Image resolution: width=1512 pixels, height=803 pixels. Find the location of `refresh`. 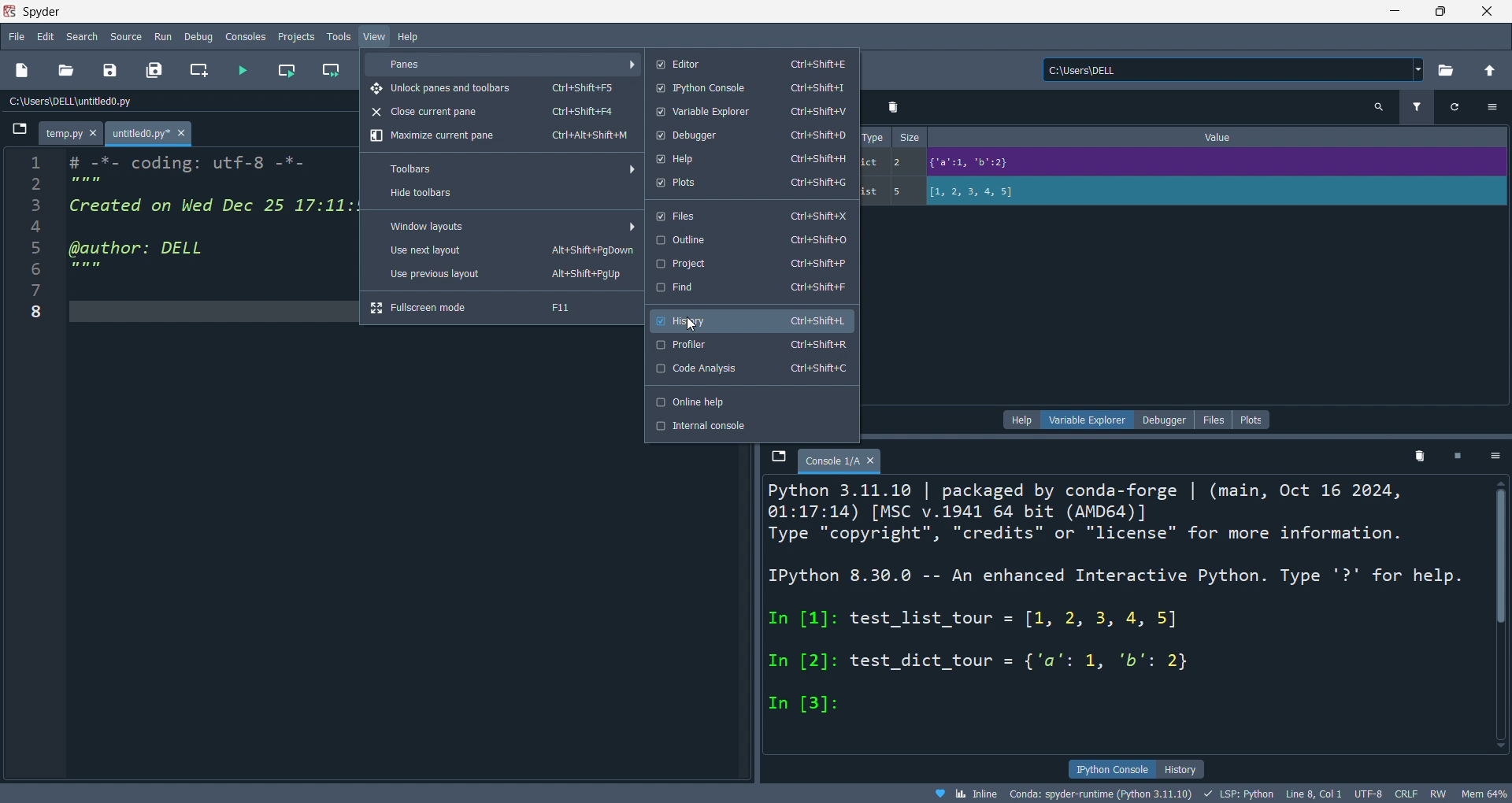

refresh is located at coordinates (1451, 107).